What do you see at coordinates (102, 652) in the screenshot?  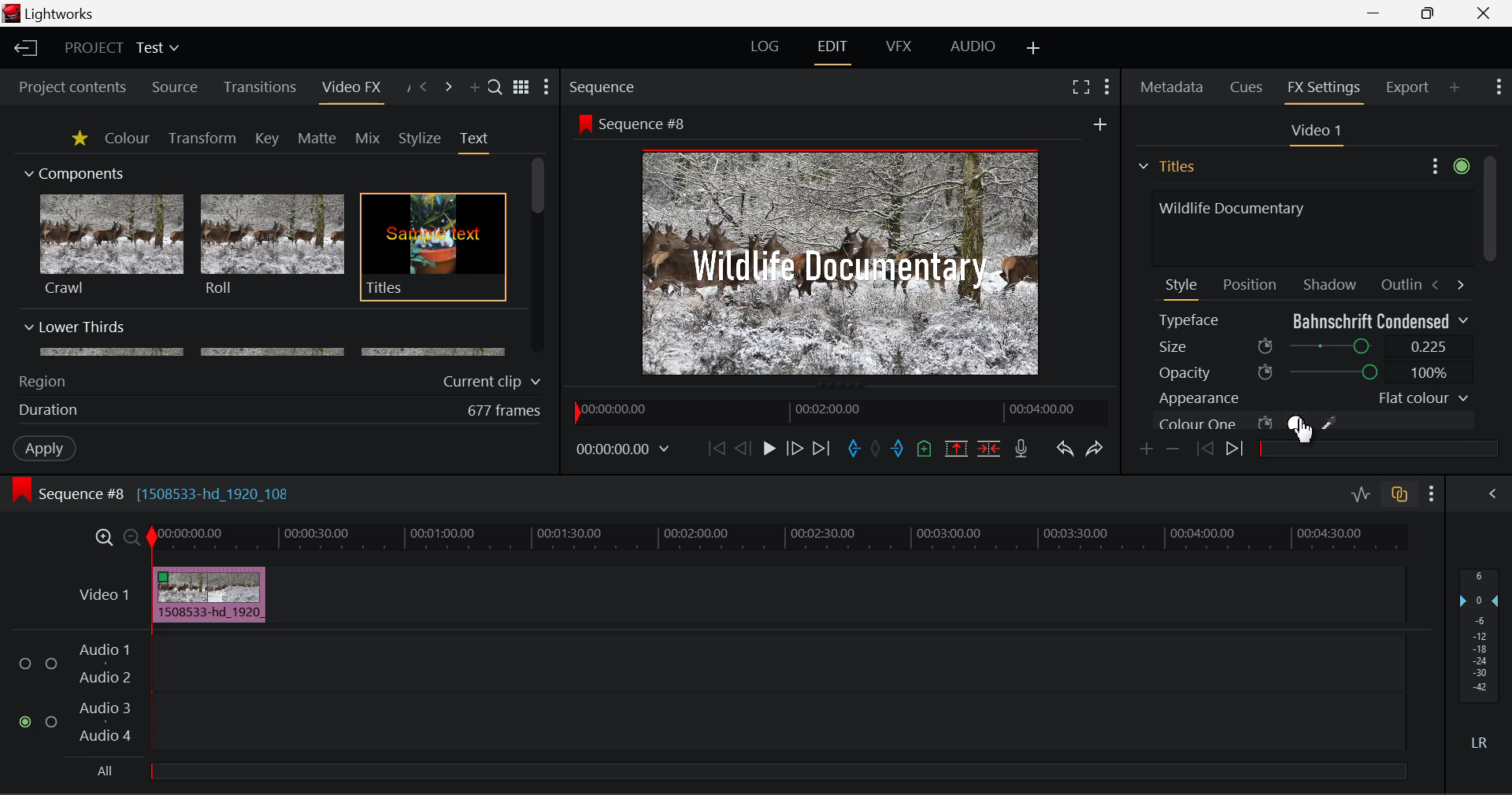 I see `Audio 1` at bounding box center [102, 652].